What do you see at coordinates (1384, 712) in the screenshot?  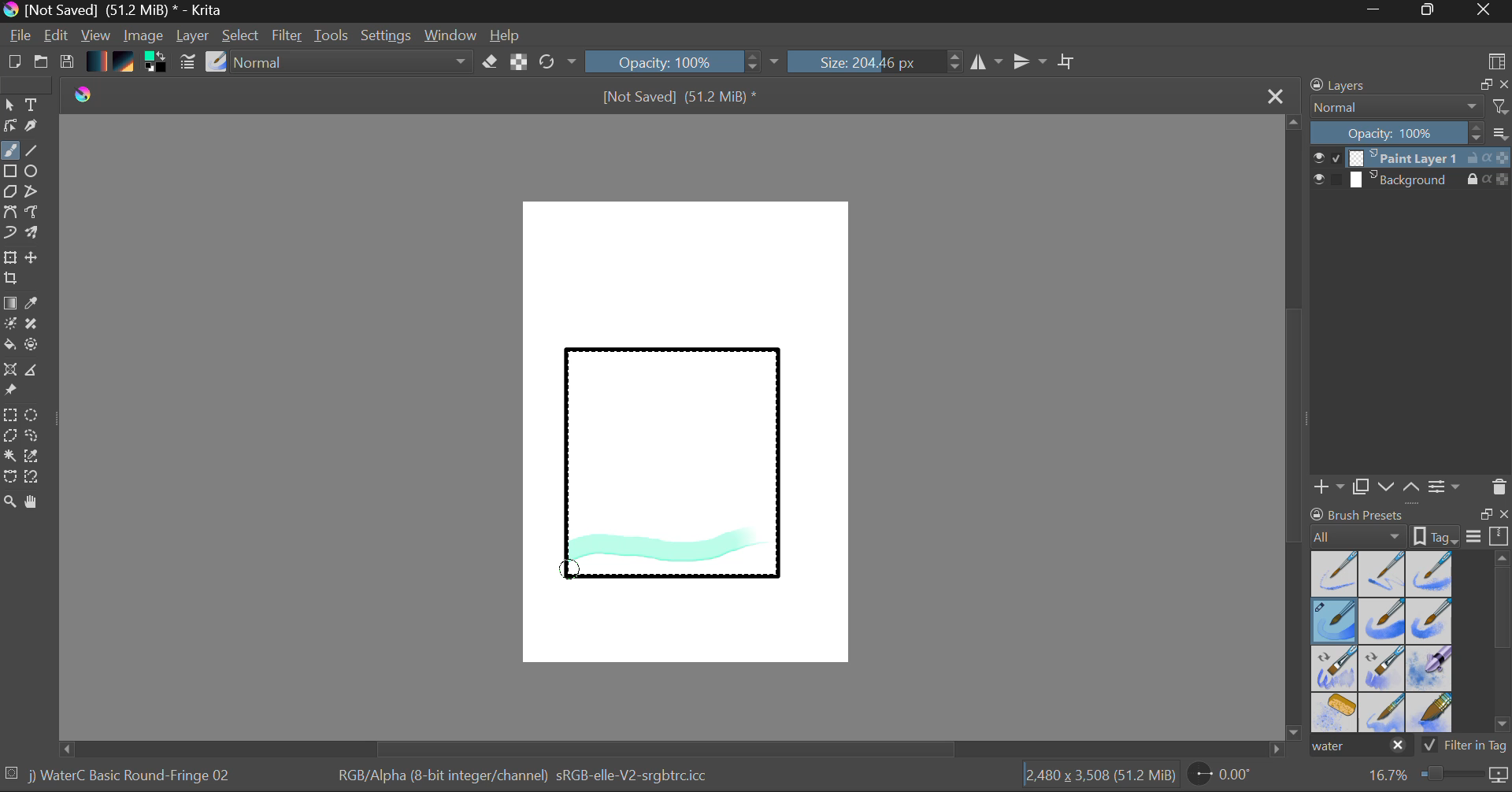 I see `Water C - Spread` at bounding box center [1384, 712].